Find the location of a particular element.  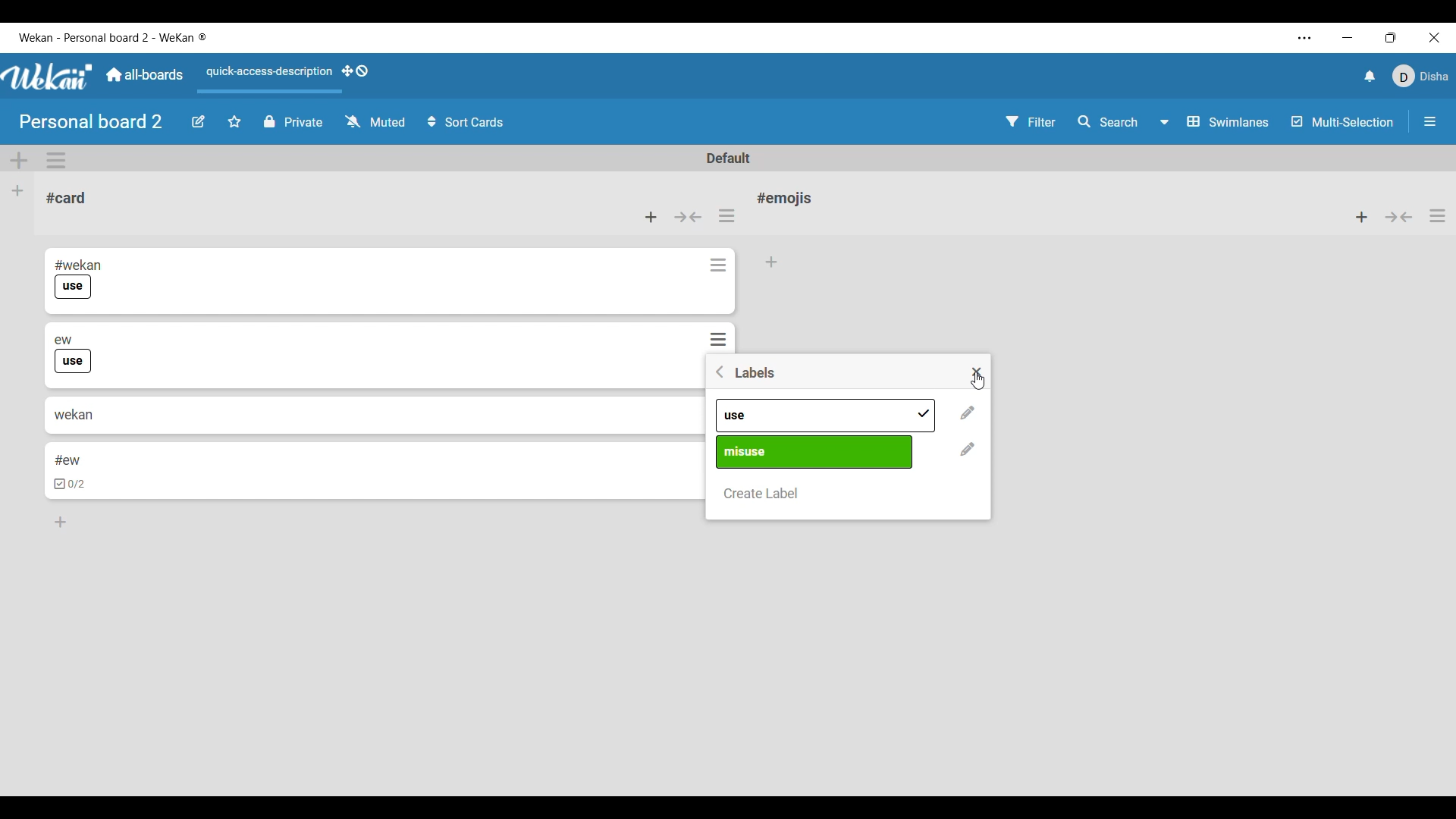

Show interface in a smaller tab is located at coordinates (1391, 37).